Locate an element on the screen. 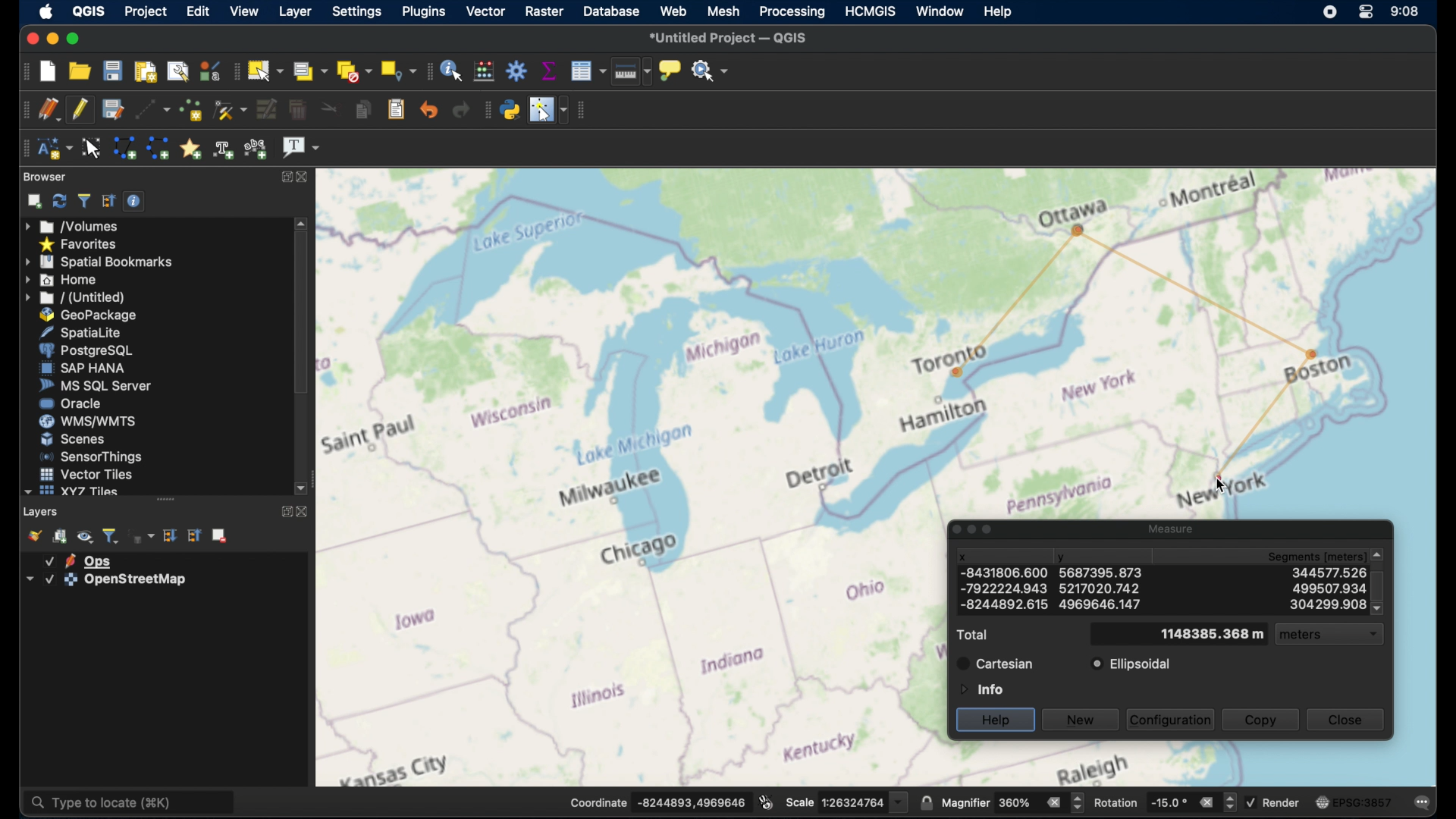  spatiallite is located at coordinates (93, 331).